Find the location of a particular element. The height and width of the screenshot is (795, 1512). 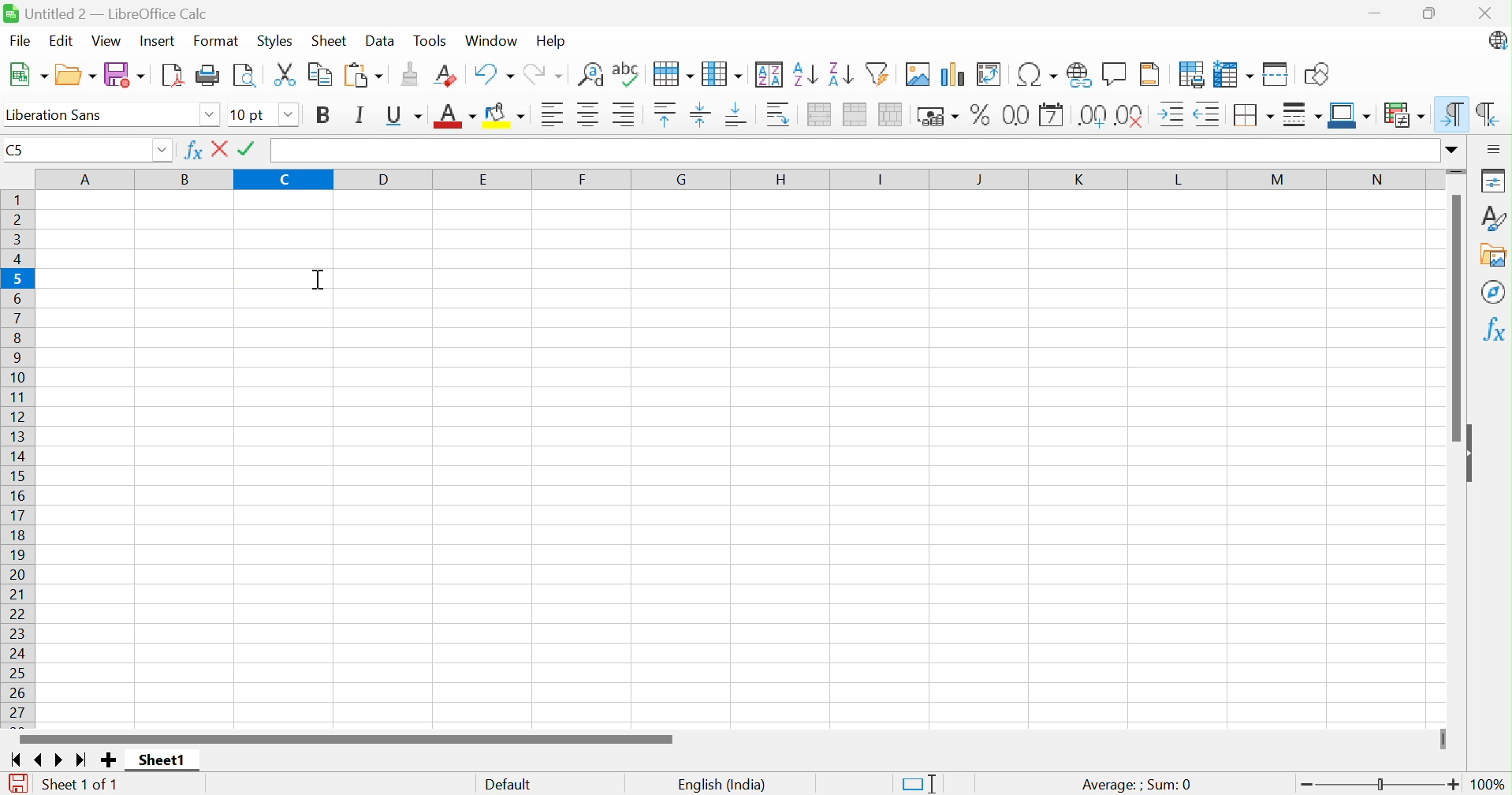

Average: ; Sum:0 is located at coordinates (1136, 784).